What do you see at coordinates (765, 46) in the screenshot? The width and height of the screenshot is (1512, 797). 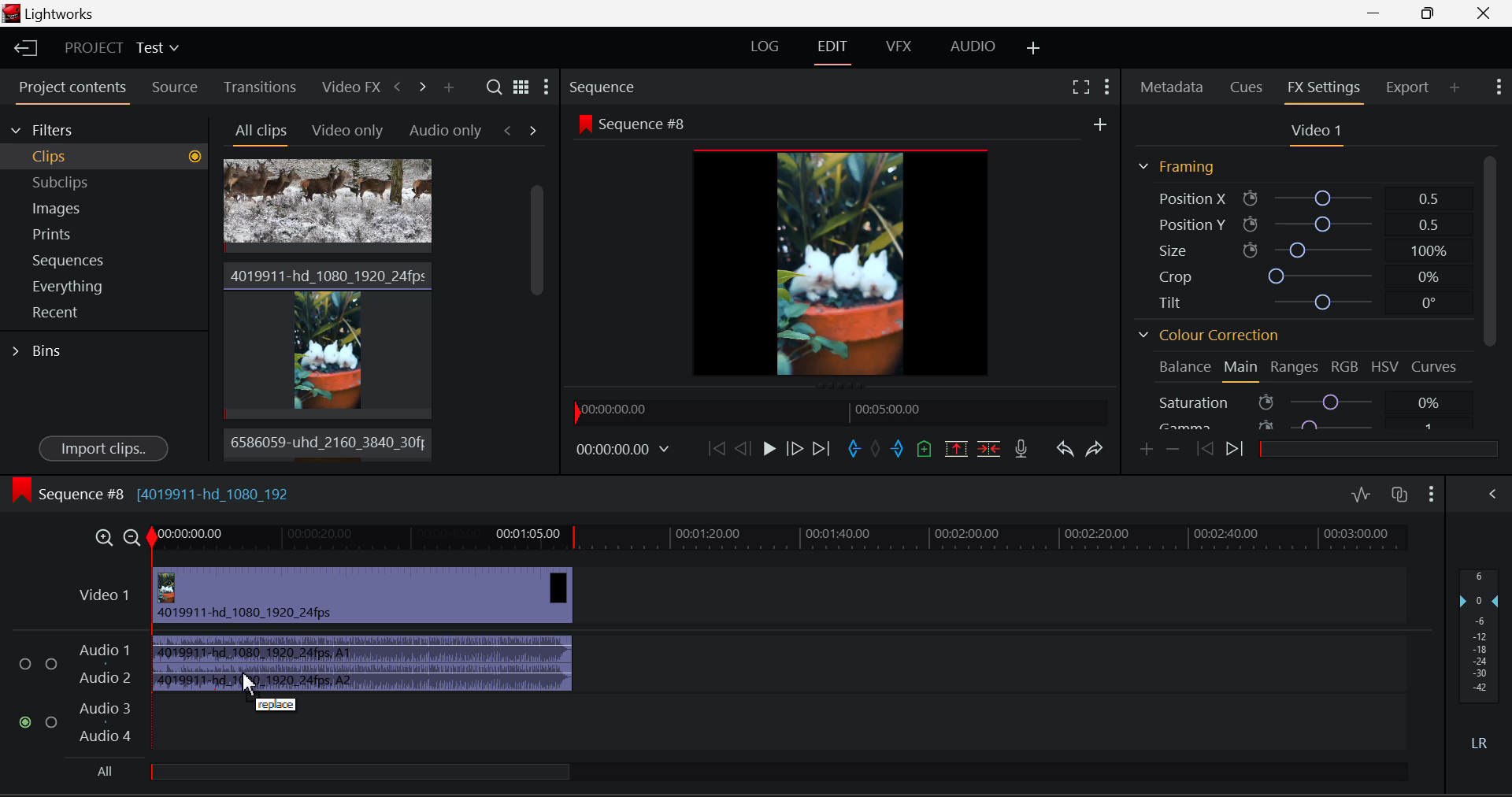 I see `LOG Layout` at bounding box center [765, 46].